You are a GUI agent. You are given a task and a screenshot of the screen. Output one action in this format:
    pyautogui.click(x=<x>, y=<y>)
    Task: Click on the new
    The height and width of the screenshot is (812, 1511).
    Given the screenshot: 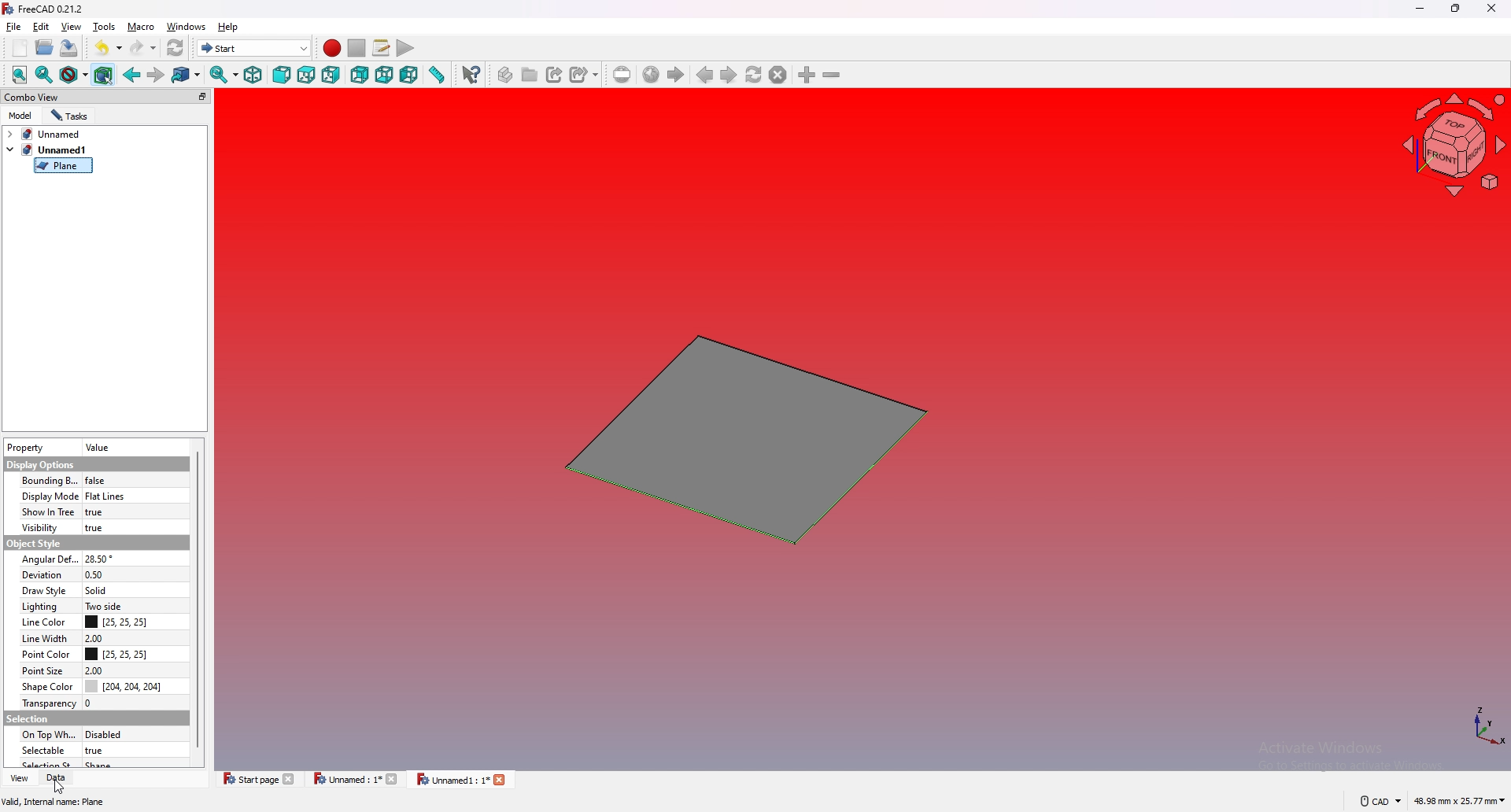 What is the action you would take?
    pyautogui.click(x=20, y=48)
    